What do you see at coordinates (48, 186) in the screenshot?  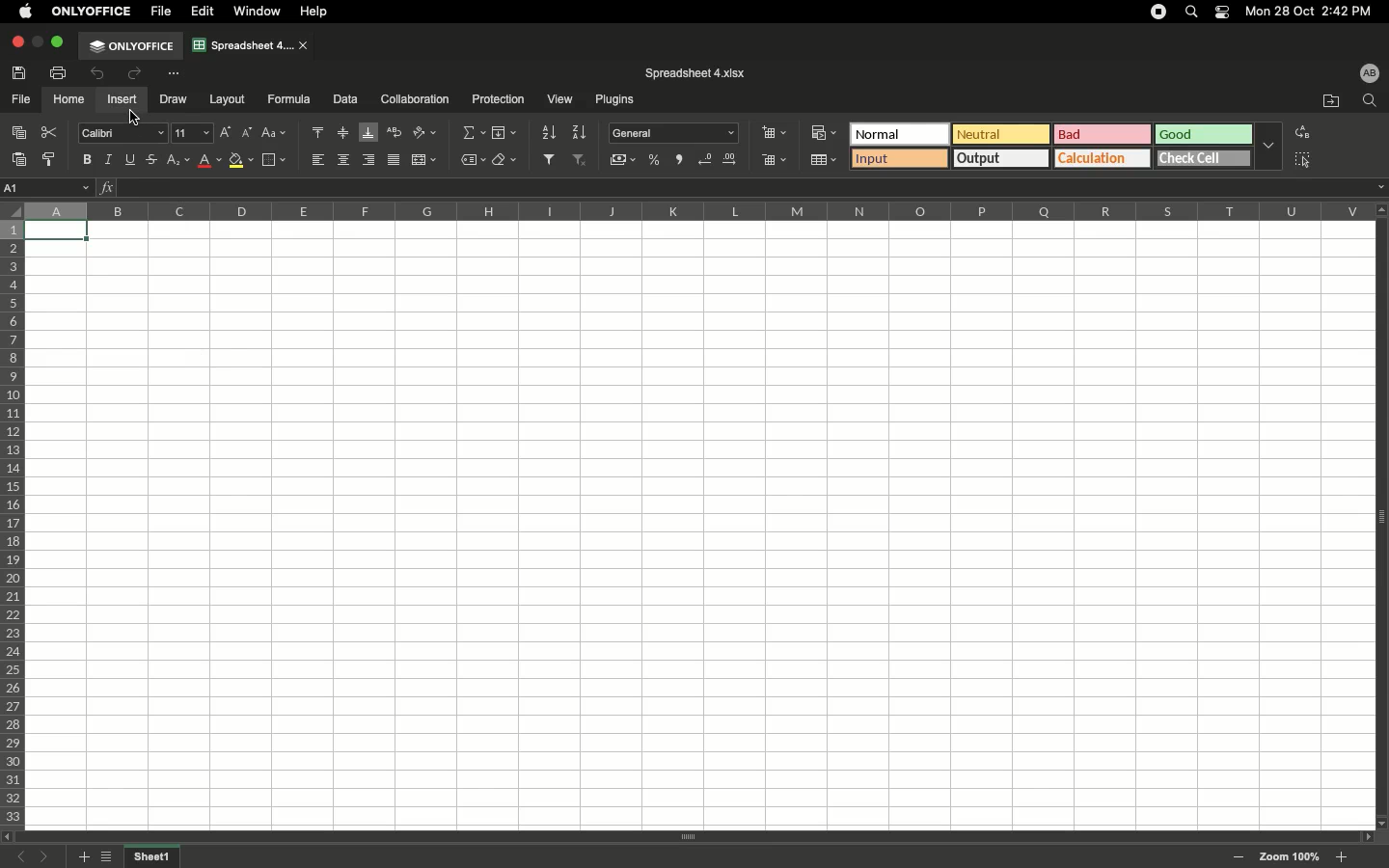 I see `Name manager` at bounding box center [48, 186].